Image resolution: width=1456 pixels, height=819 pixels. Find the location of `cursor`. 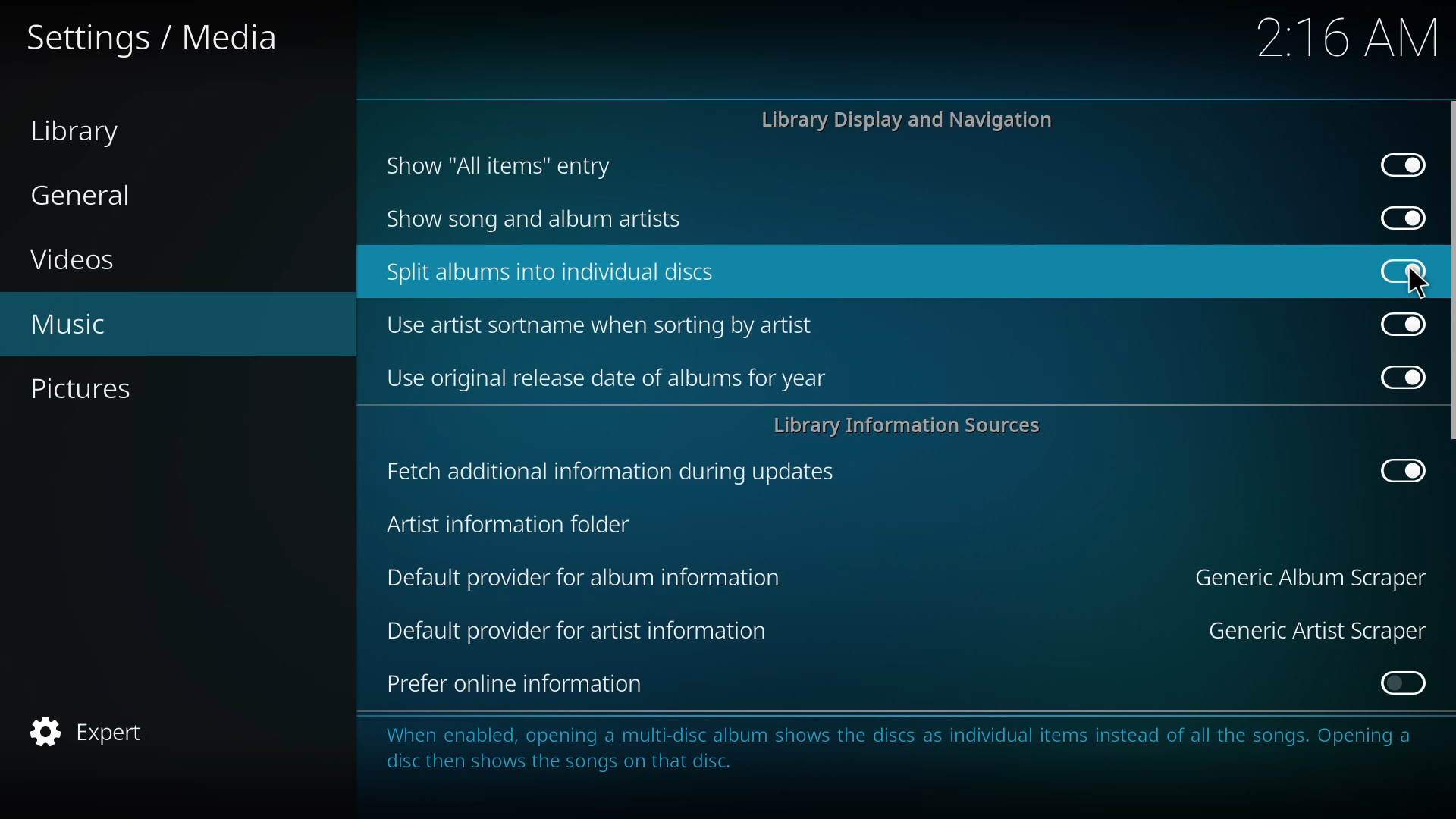

cursor is located at coordinates (1420, 281).